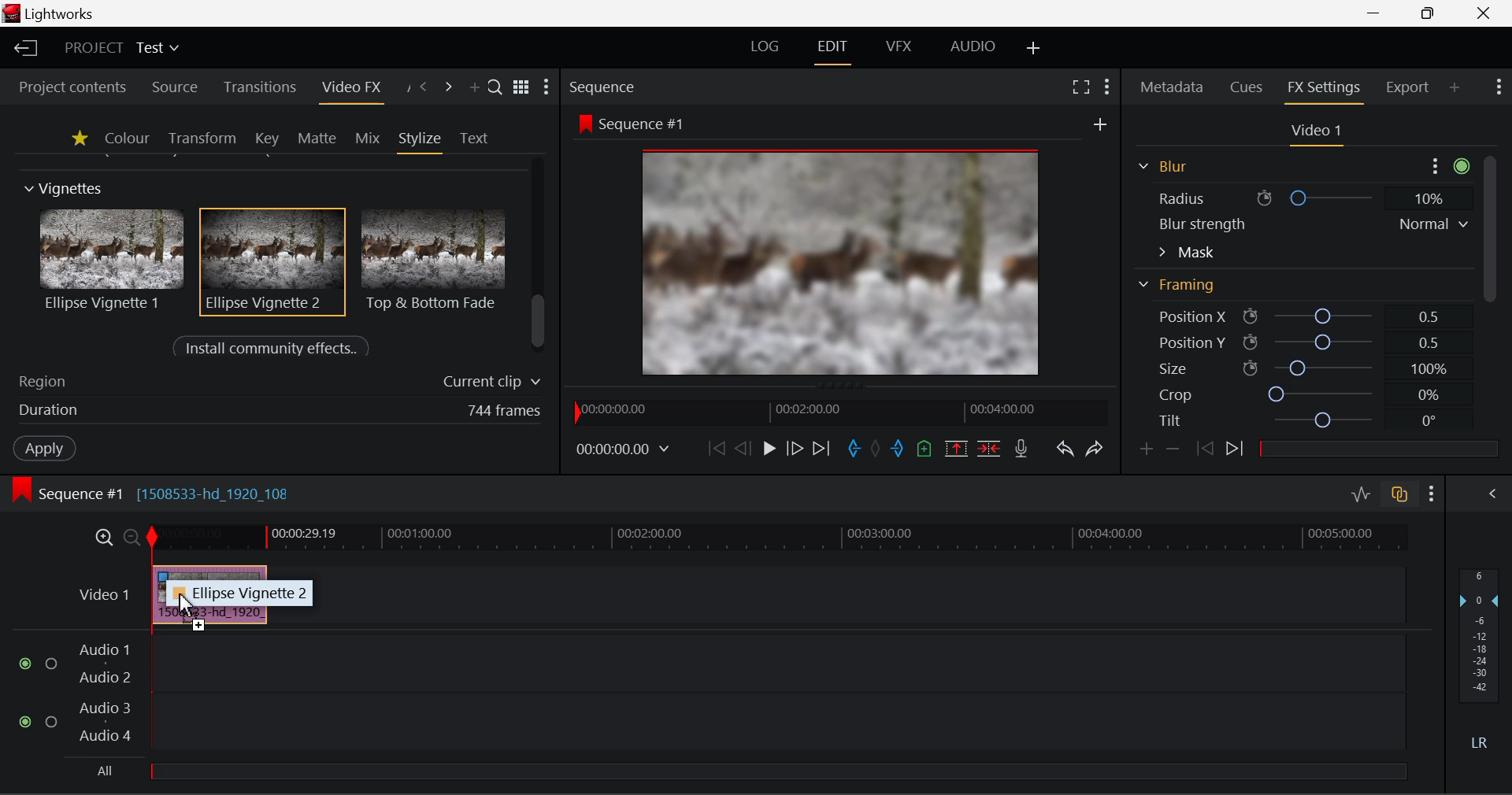 Image resolution: width=1512 pixels, height=795 pixels. Describe the element at coordinates (317, 138) in the screenshot. I see `Matte` at that location.